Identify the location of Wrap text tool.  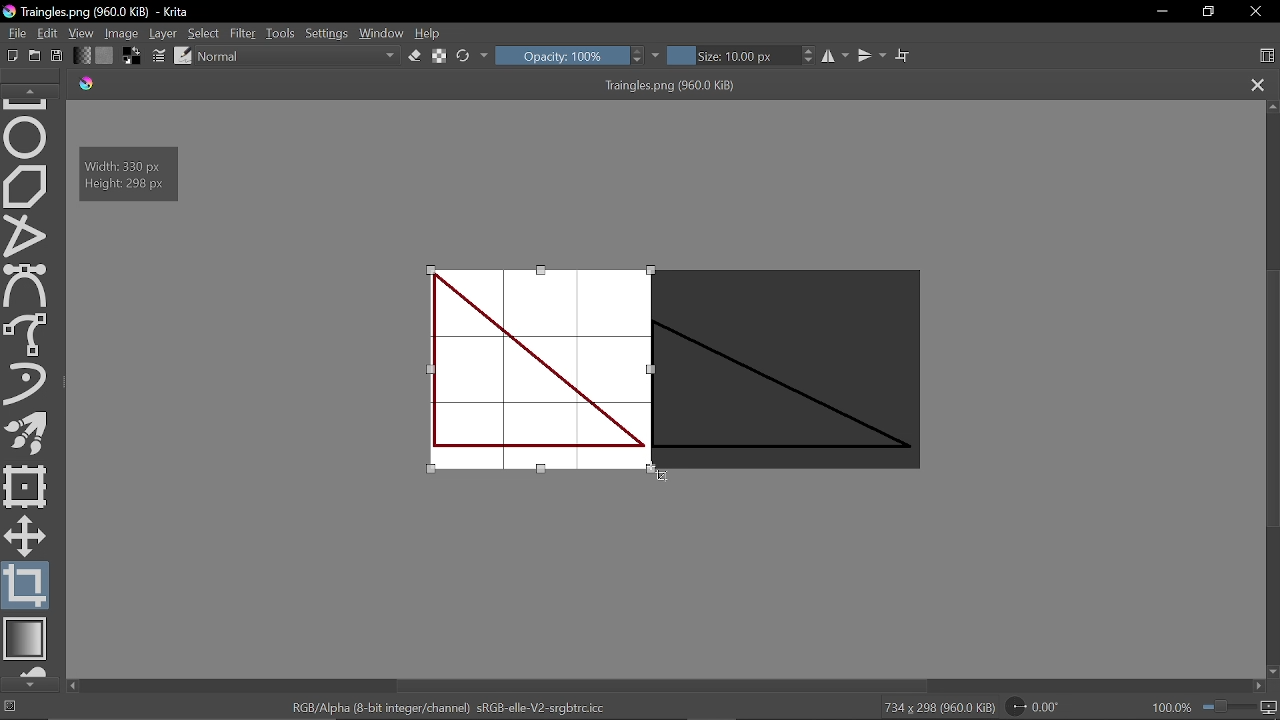
(903, 55).